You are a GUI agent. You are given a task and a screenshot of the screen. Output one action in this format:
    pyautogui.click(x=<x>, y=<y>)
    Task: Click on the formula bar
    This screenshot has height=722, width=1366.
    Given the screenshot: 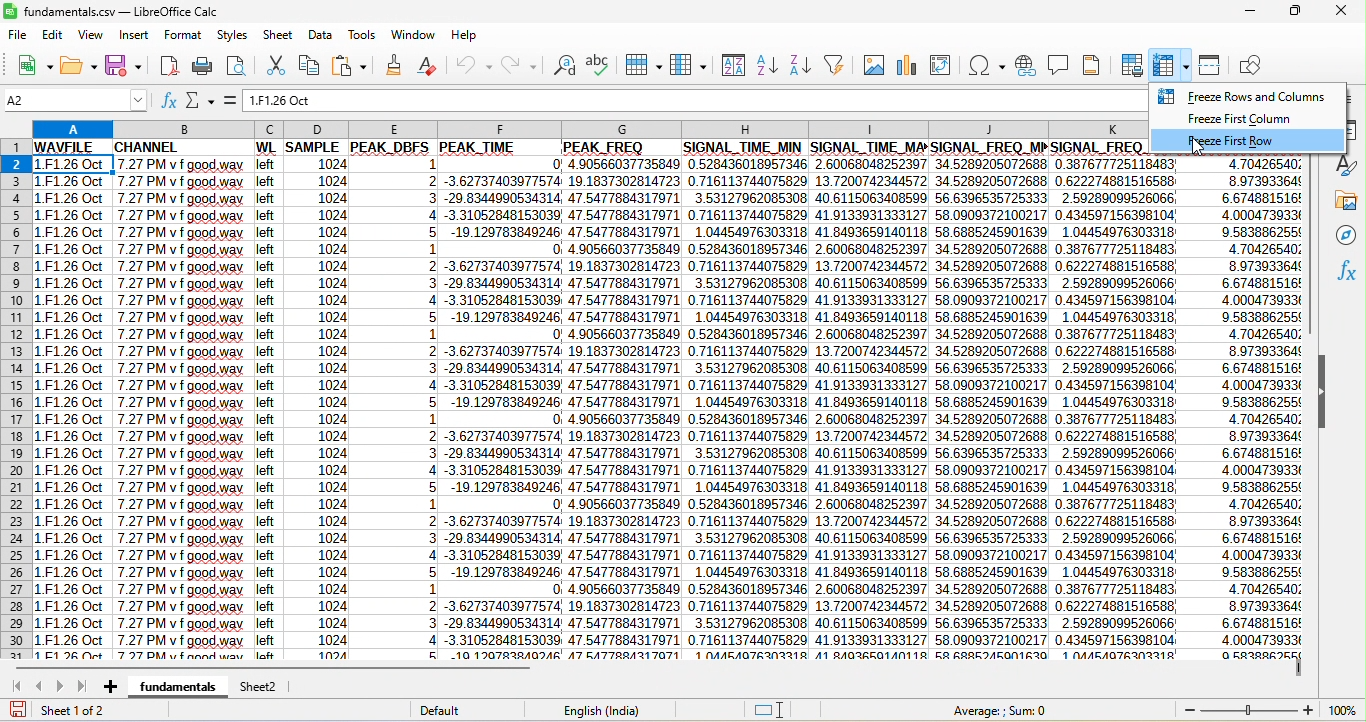 What is the action you would take?
    pyautogui.click(x=695, y=99)
    